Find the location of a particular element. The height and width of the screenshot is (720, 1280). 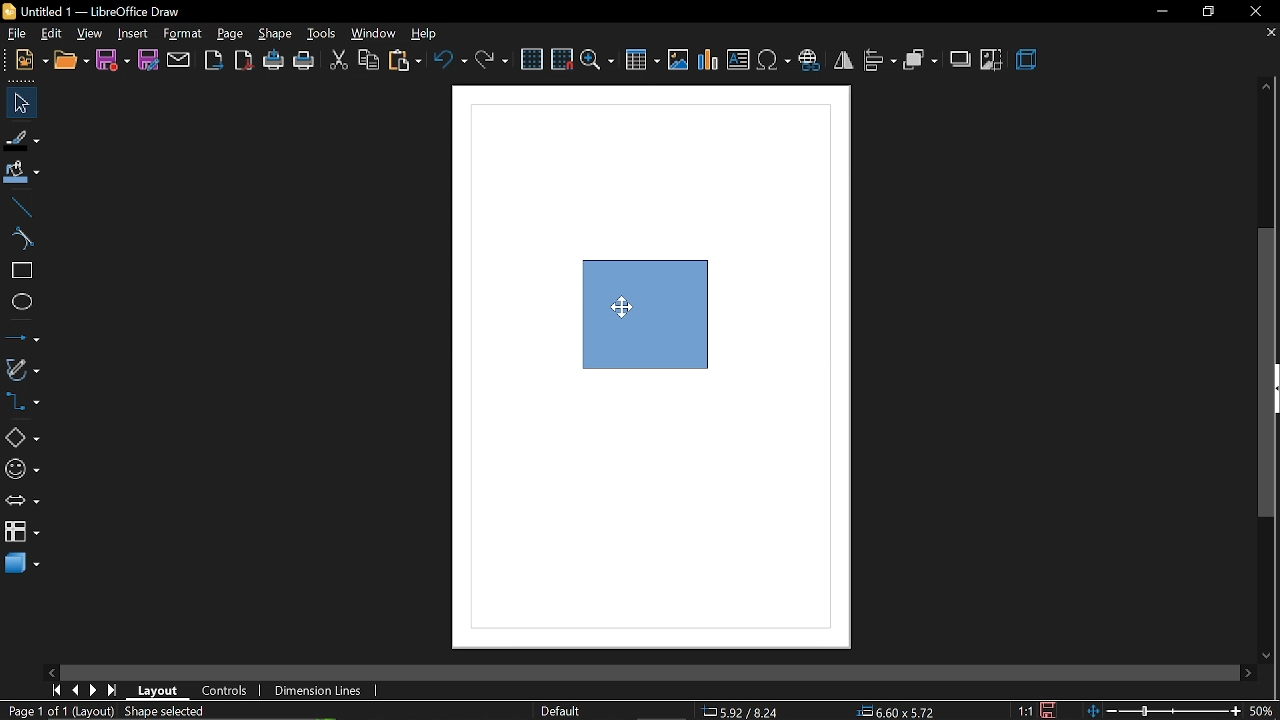

Move up is located at coordinates (1265, 87).